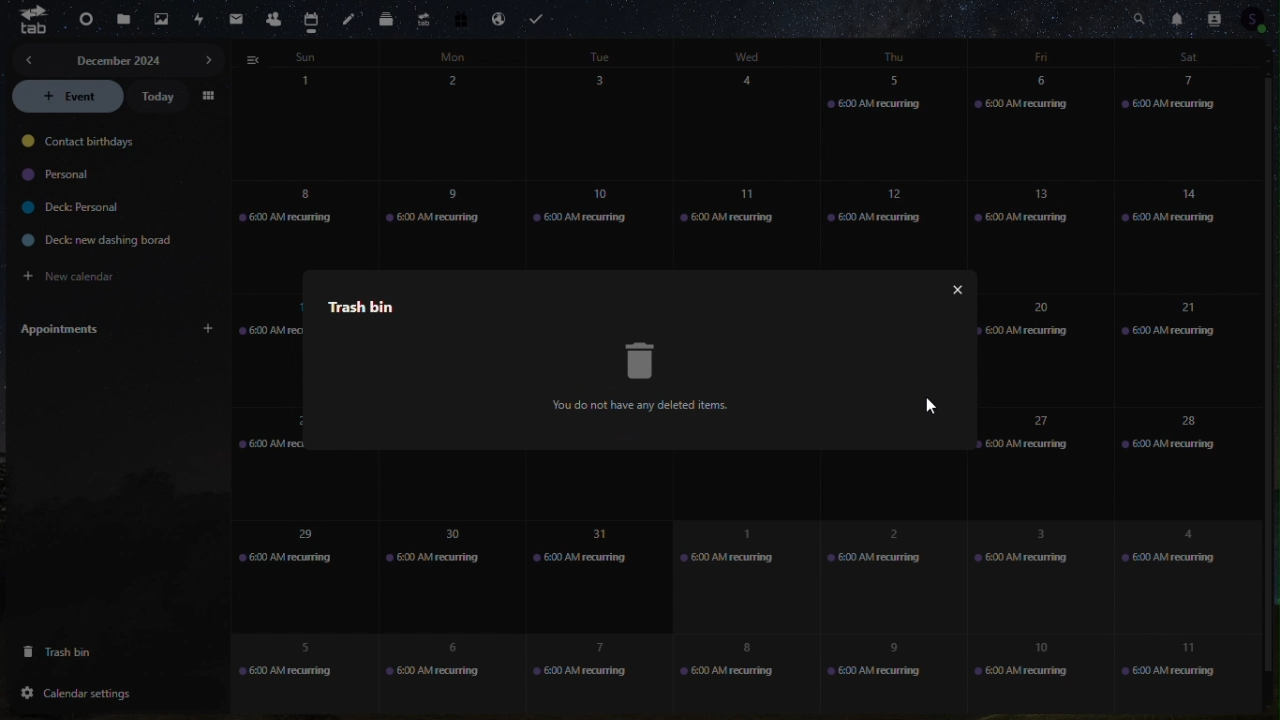 The height and width of the screenshot is (720, 1280). I want to click on free trail, so click(460, 18).